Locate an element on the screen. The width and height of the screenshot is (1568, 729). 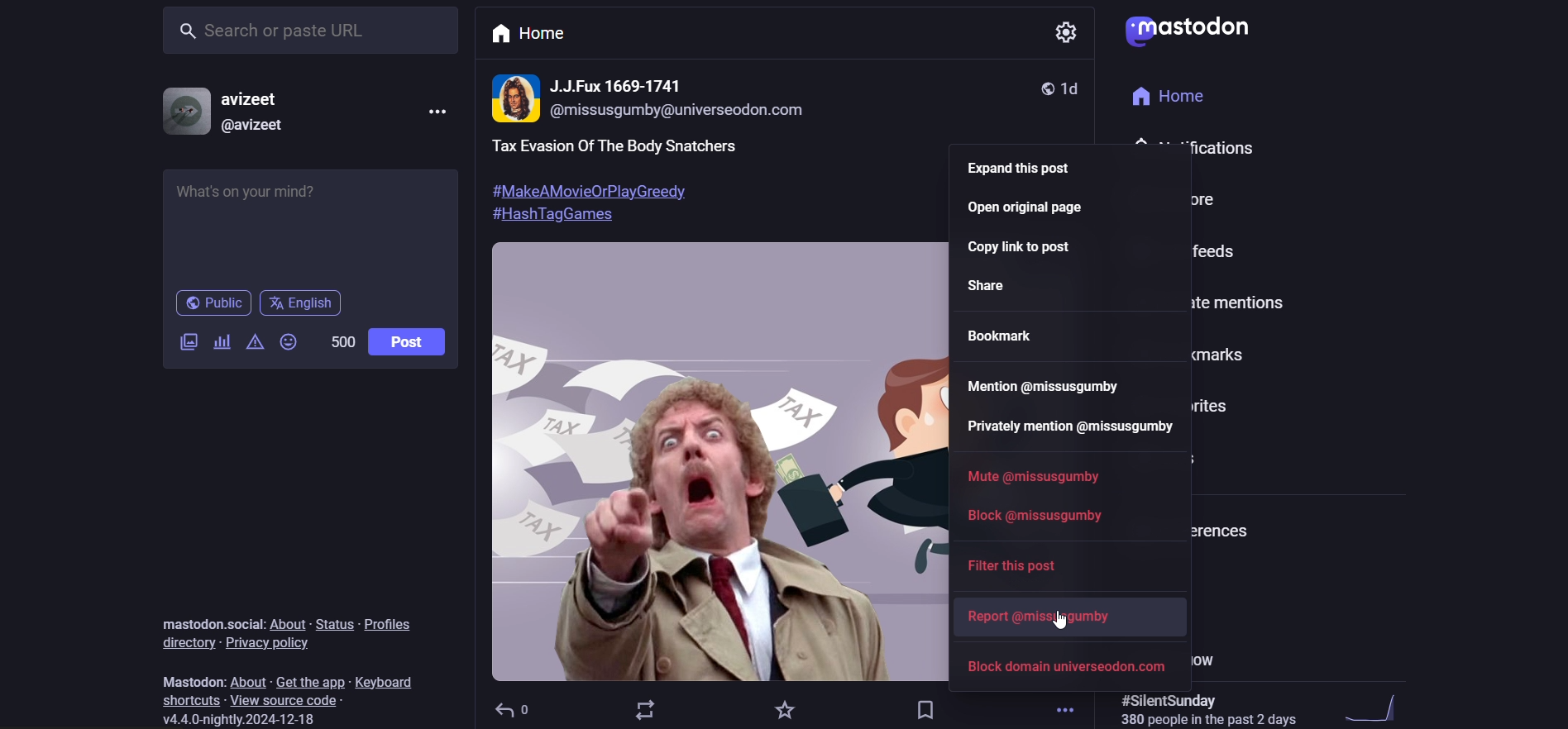
poll is located at coordinates (223, 341).